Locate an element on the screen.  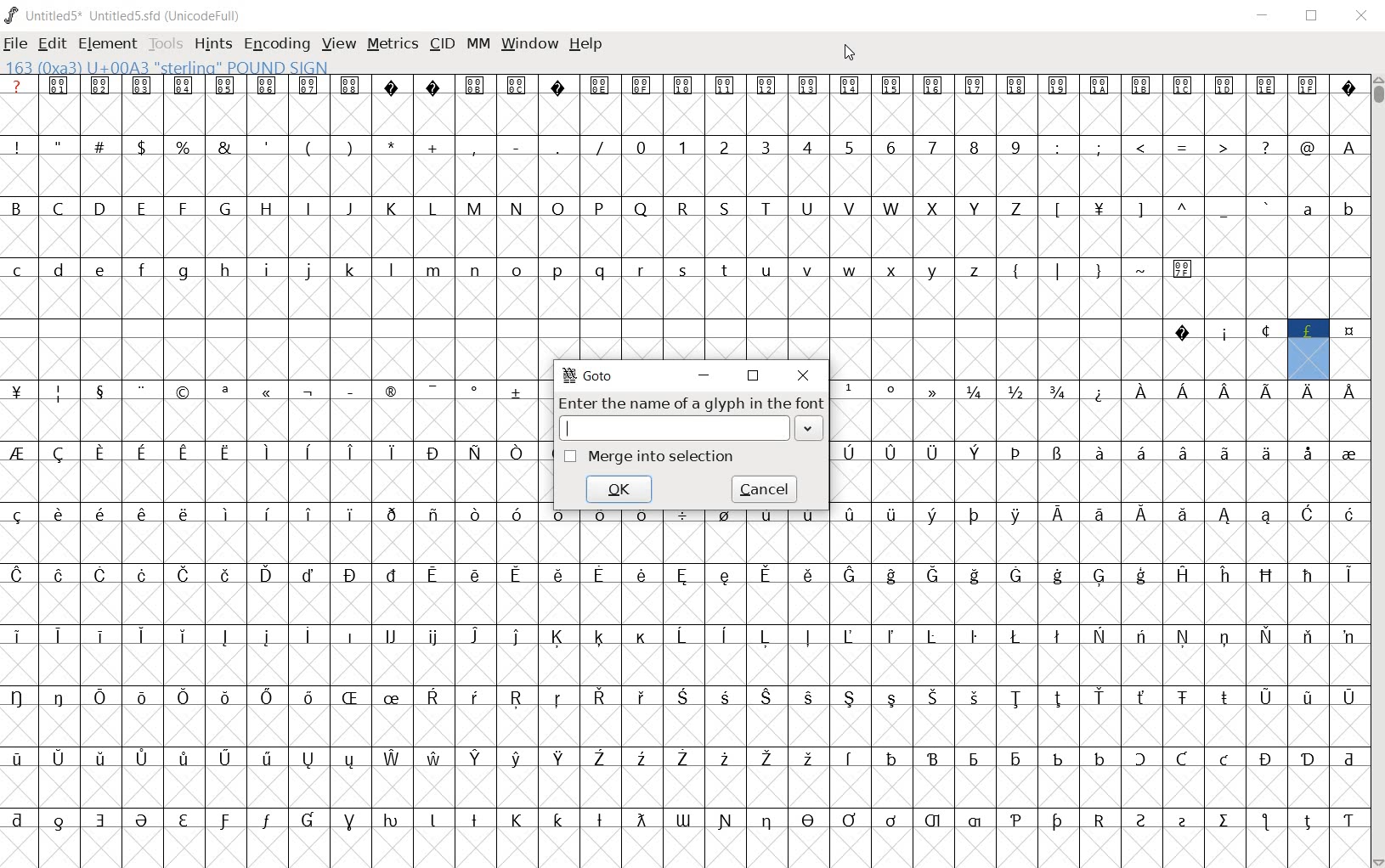
HINTS is located at coordinates (211, 43).